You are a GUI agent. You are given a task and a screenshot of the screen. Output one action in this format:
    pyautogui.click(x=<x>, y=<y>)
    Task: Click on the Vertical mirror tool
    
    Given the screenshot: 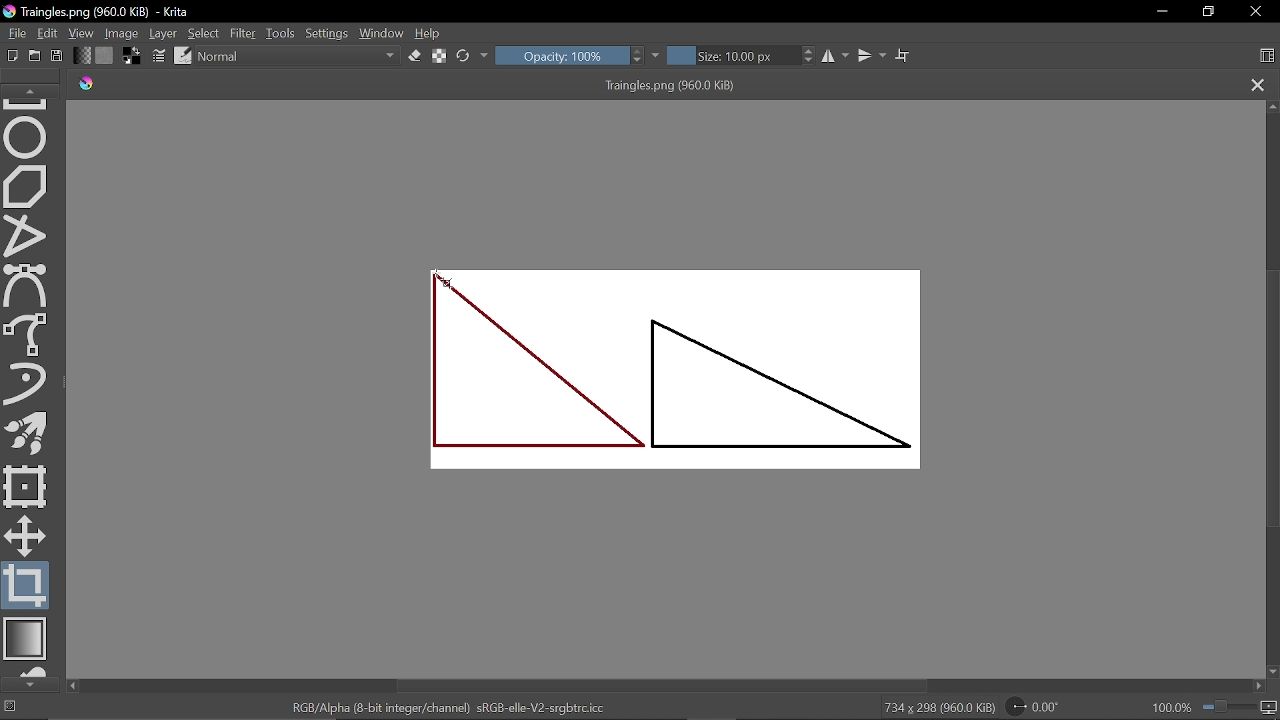 What is the action you would take?
    pyautogui.click(x=873, y=55)
    